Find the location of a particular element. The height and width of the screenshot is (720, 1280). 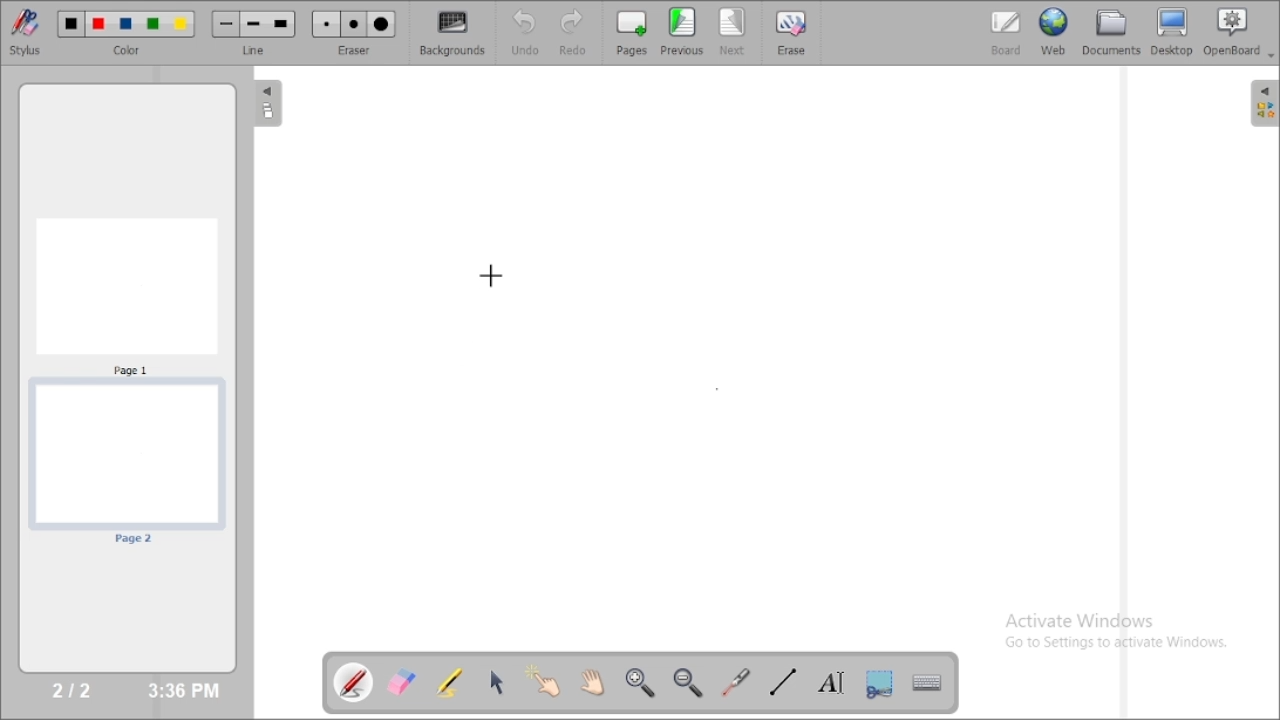

Color 3 is located at coordinates (126, 25).